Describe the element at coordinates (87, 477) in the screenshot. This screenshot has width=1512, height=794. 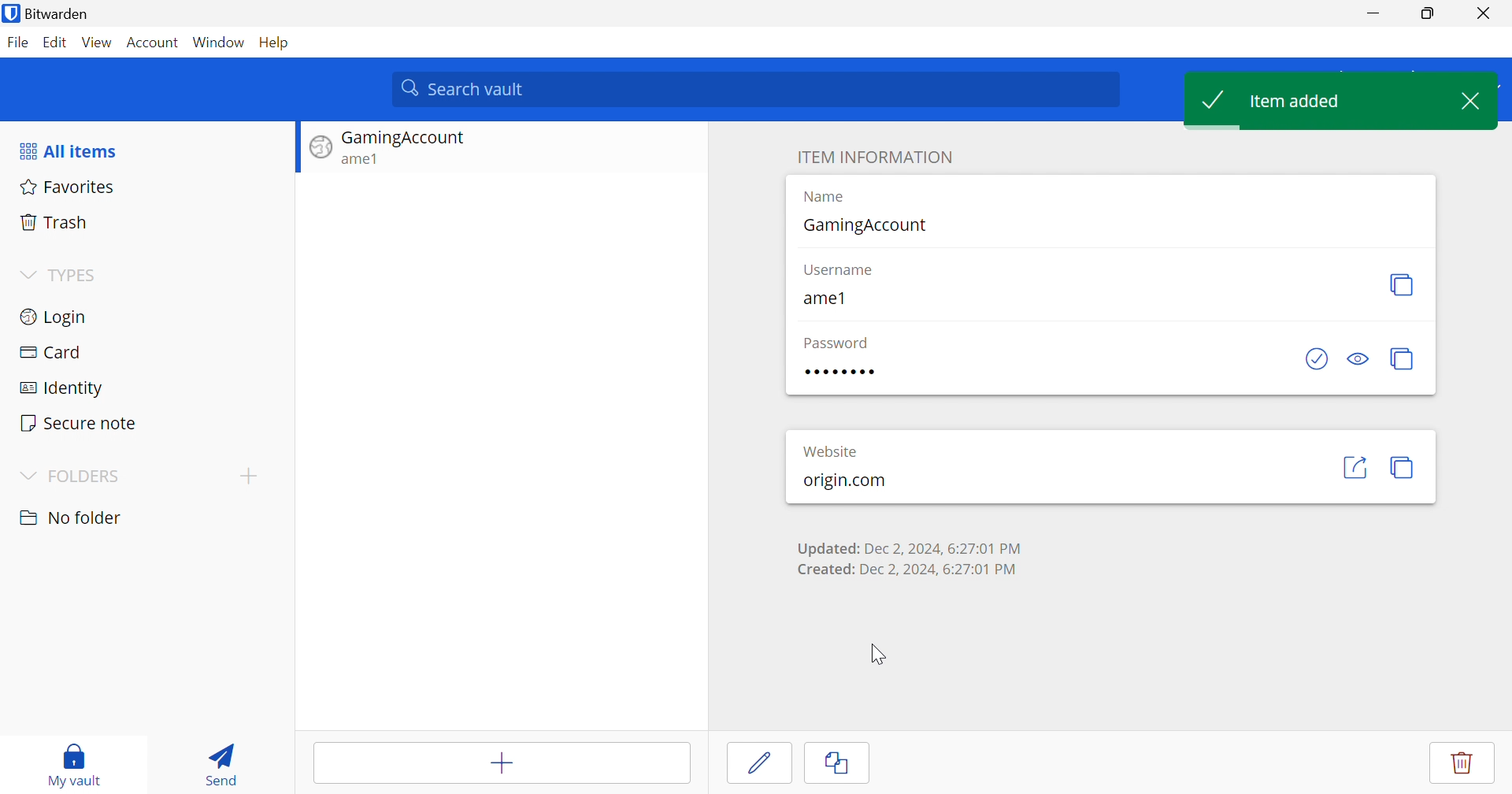
I see `FOLDERS` at that location.